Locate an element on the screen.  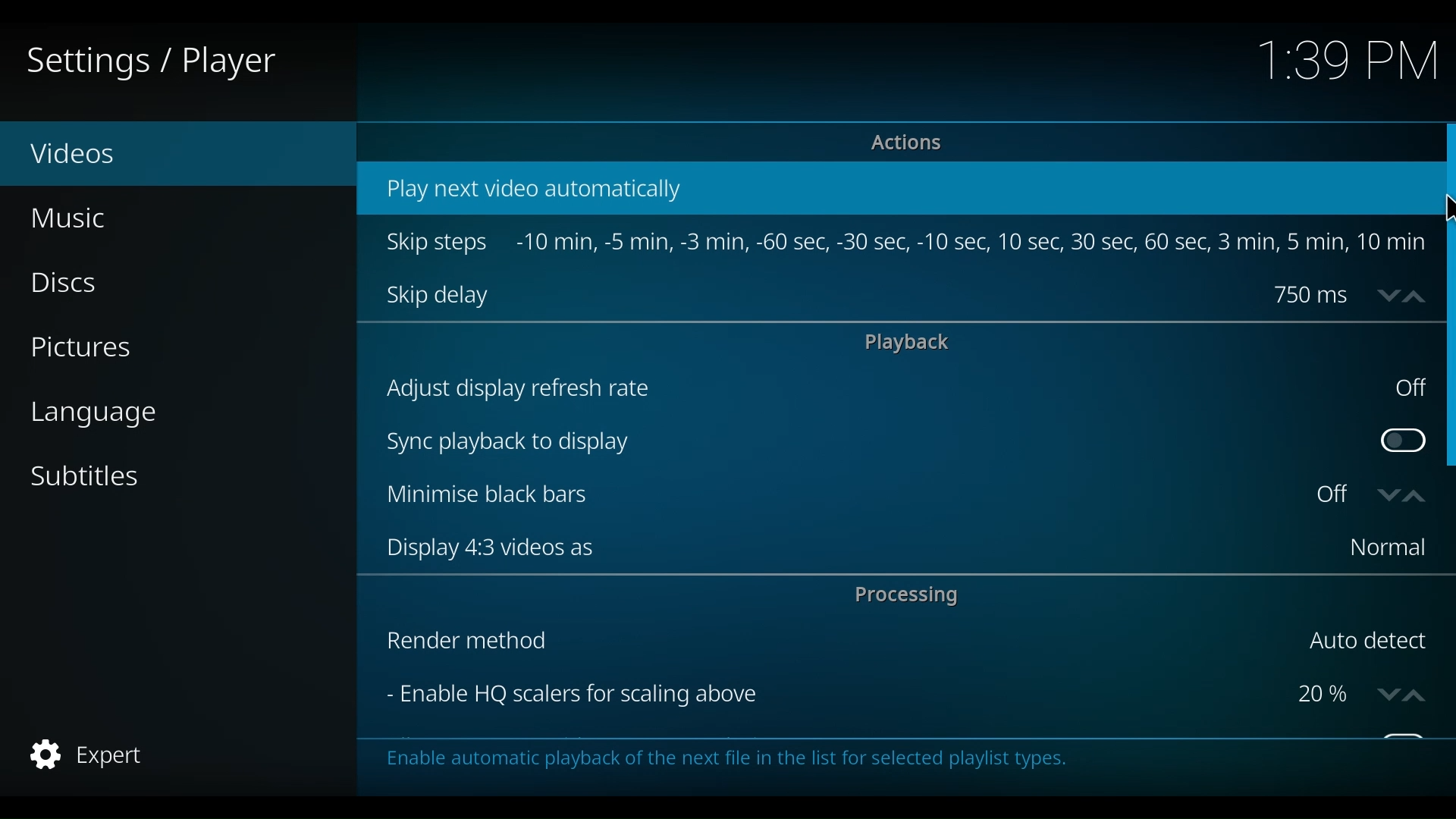
up is located at coordinates (1413, 695).